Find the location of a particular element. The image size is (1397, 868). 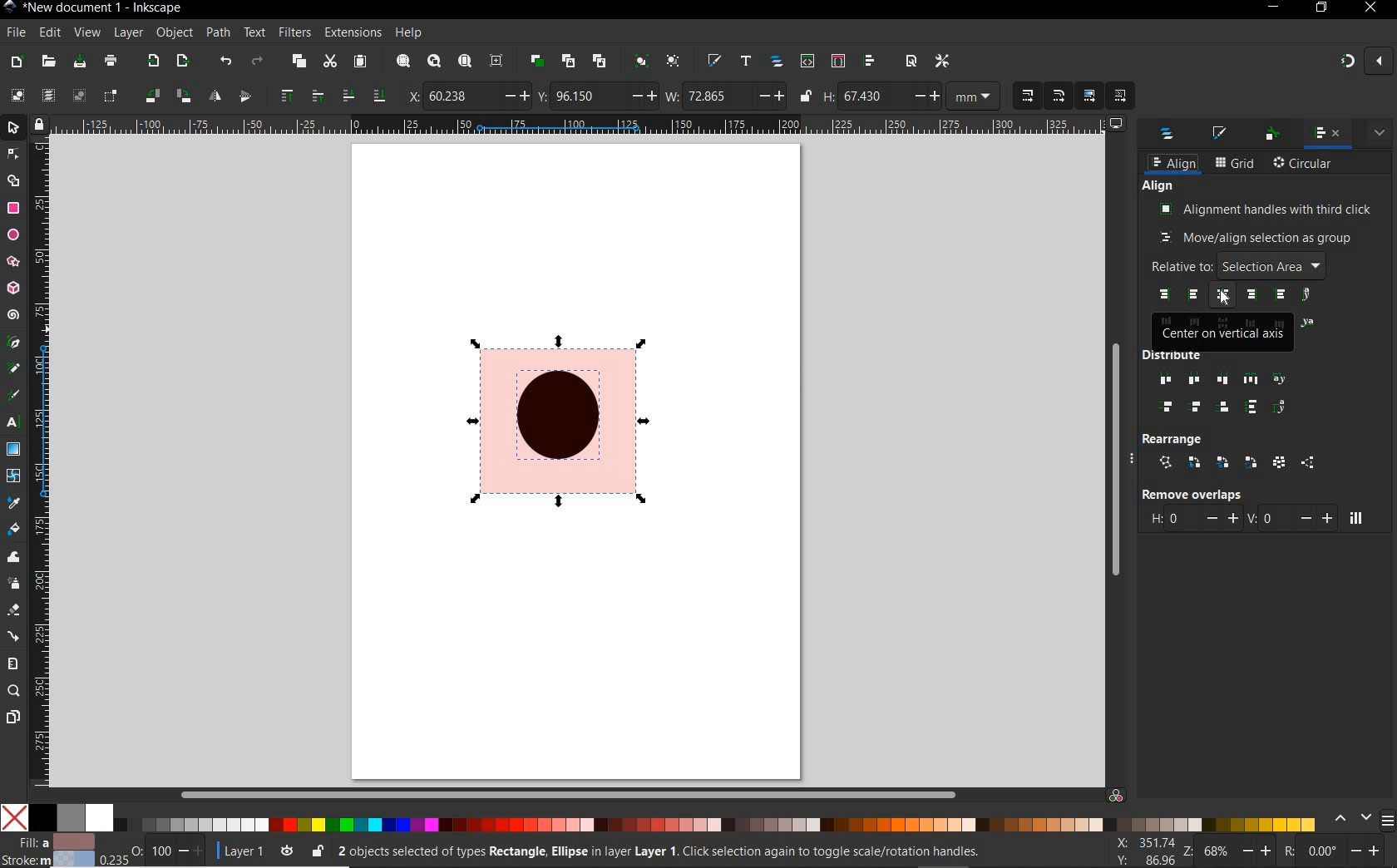

toggle selection box is located at coordinates (111, 96).